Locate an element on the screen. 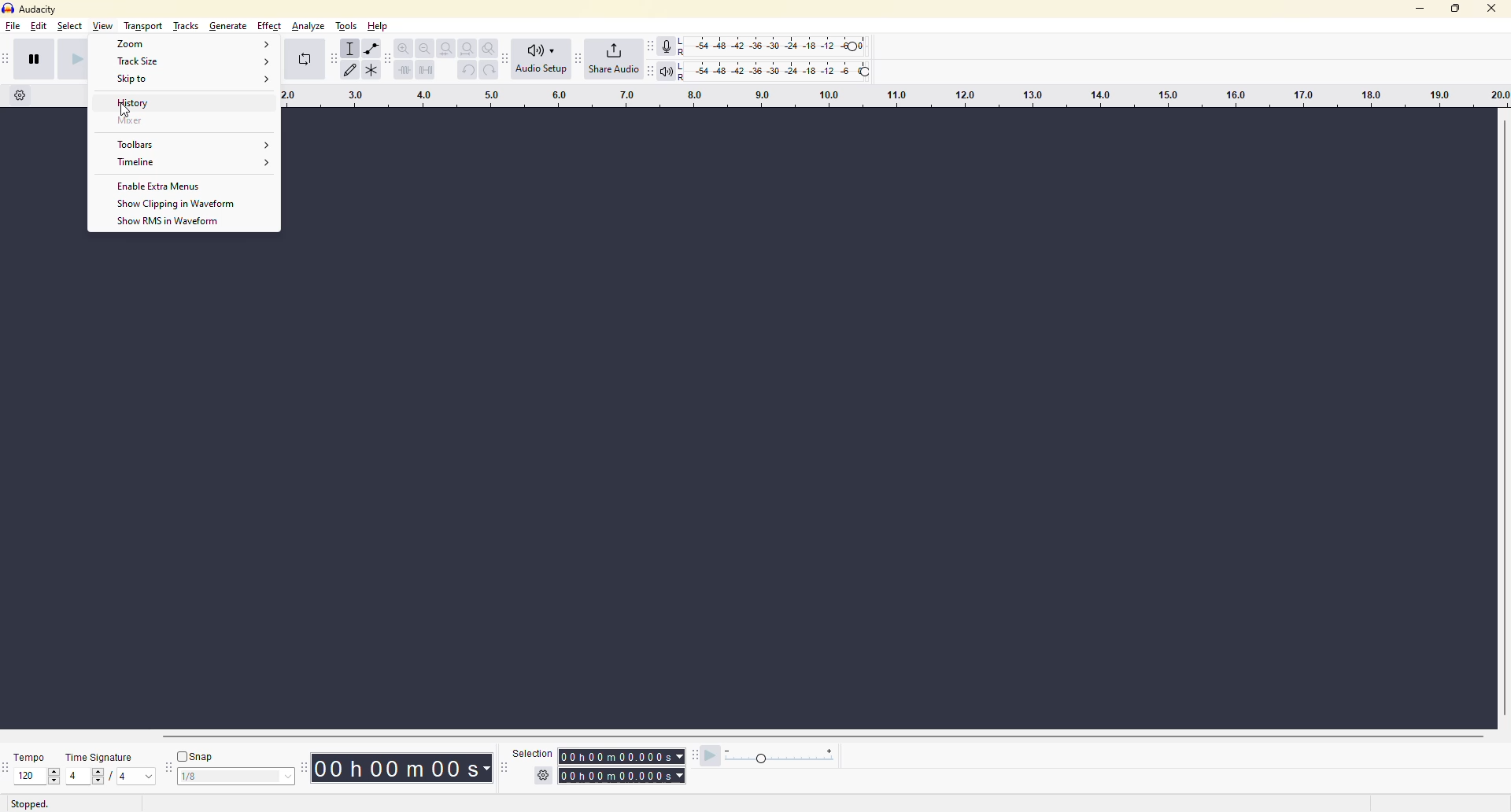  pause is located at coordinates (39, 61).